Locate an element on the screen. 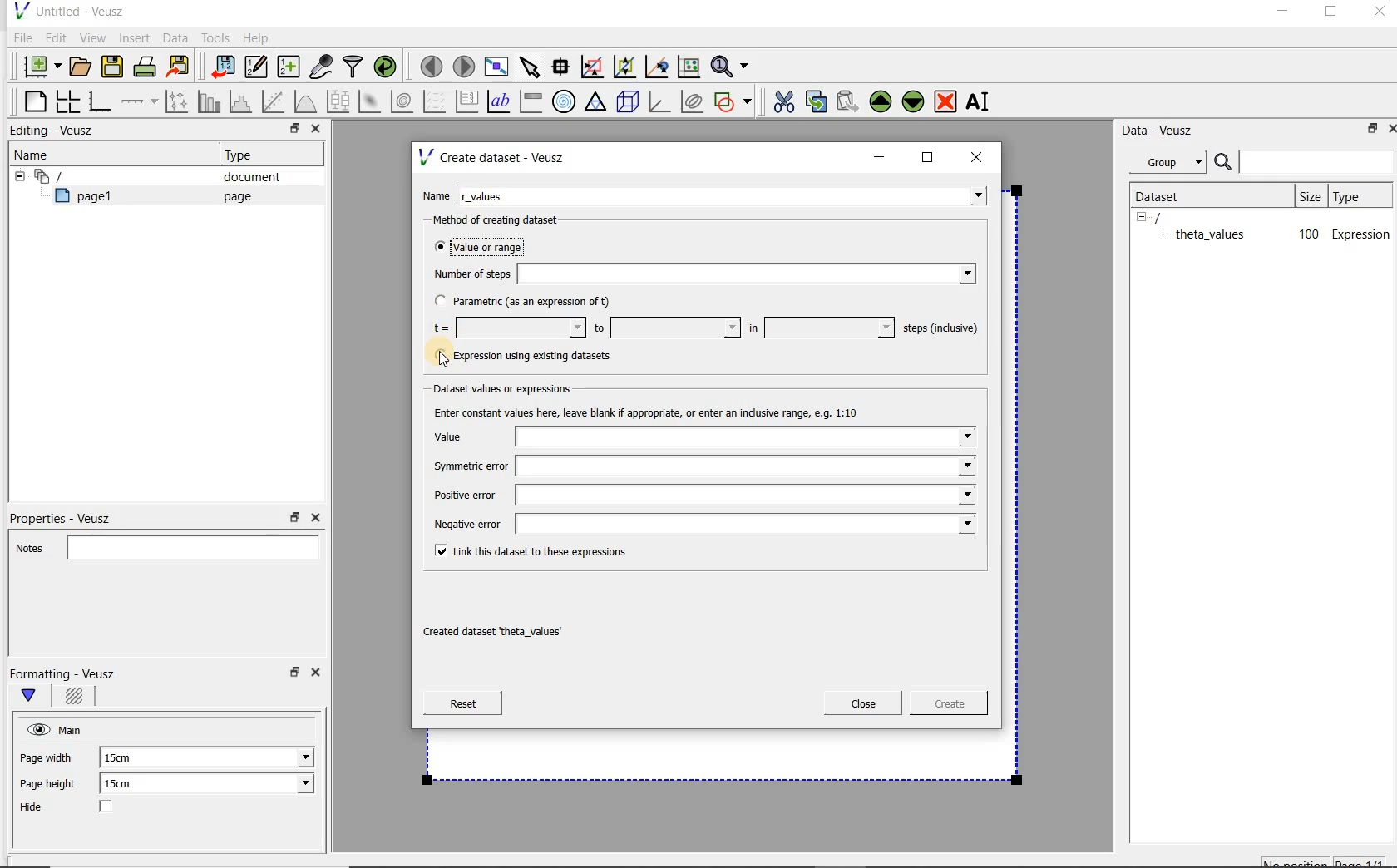 Image resolution: width=1397 pixels, height=868 pixels. Move the selected widget up is located at coordinates (881, 101).